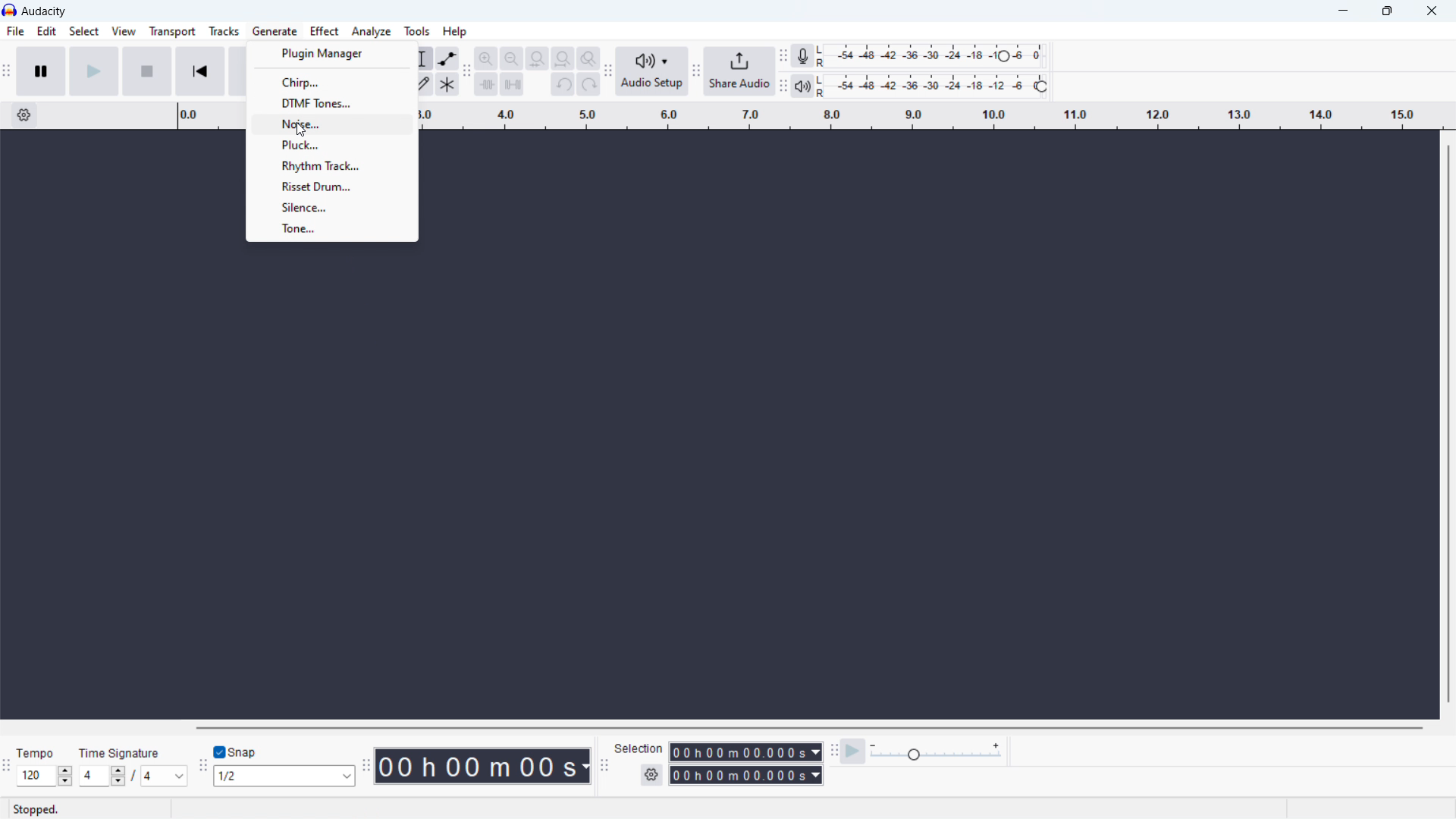 Image resolution: width=1456 pixels, height=819 pixels. What do you see at coordinates (147, 71) in the screenshot?
I see `stop` at bounding box center [147, 71].